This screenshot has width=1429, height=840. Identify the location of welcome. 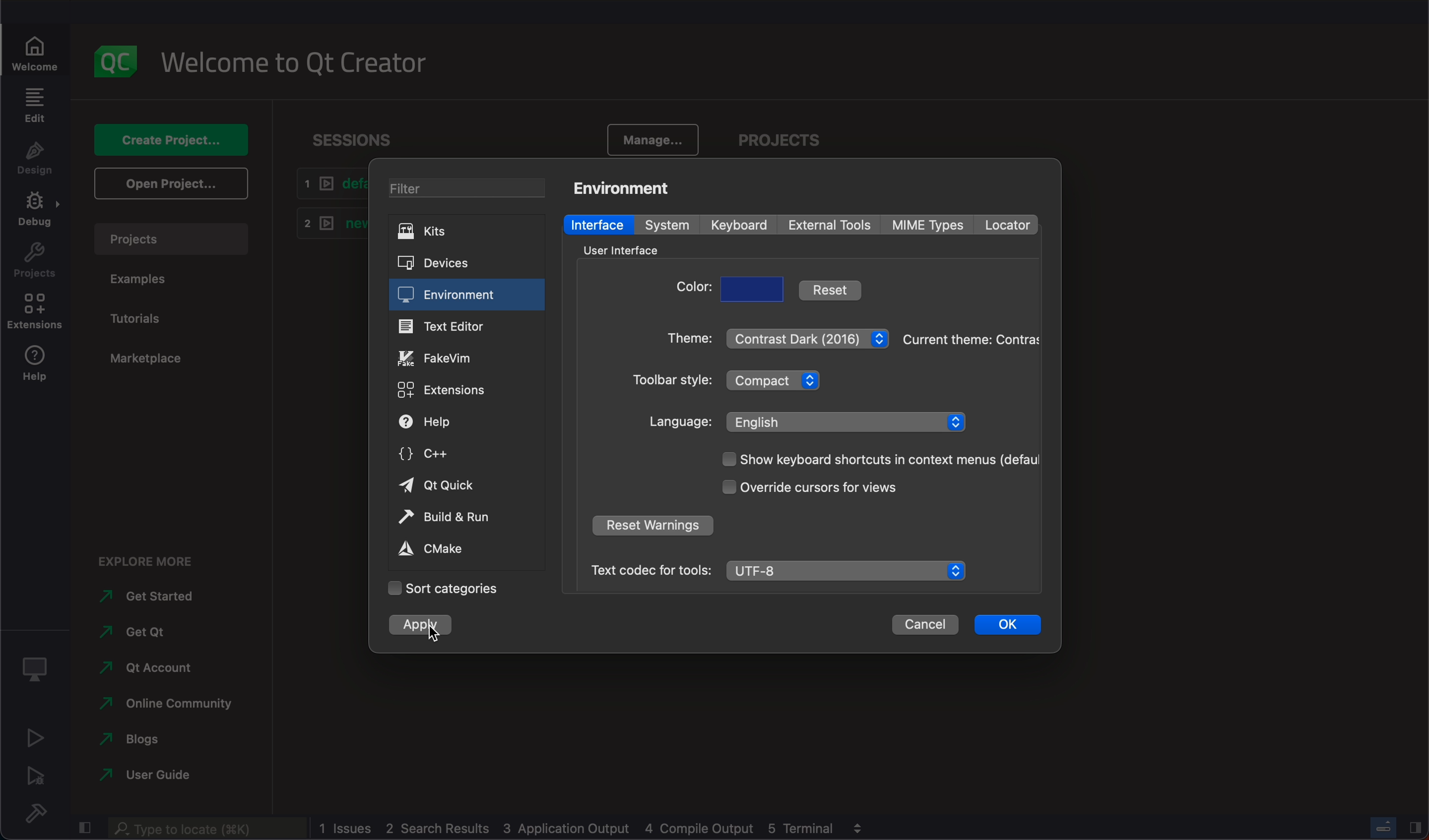
(36, 52).